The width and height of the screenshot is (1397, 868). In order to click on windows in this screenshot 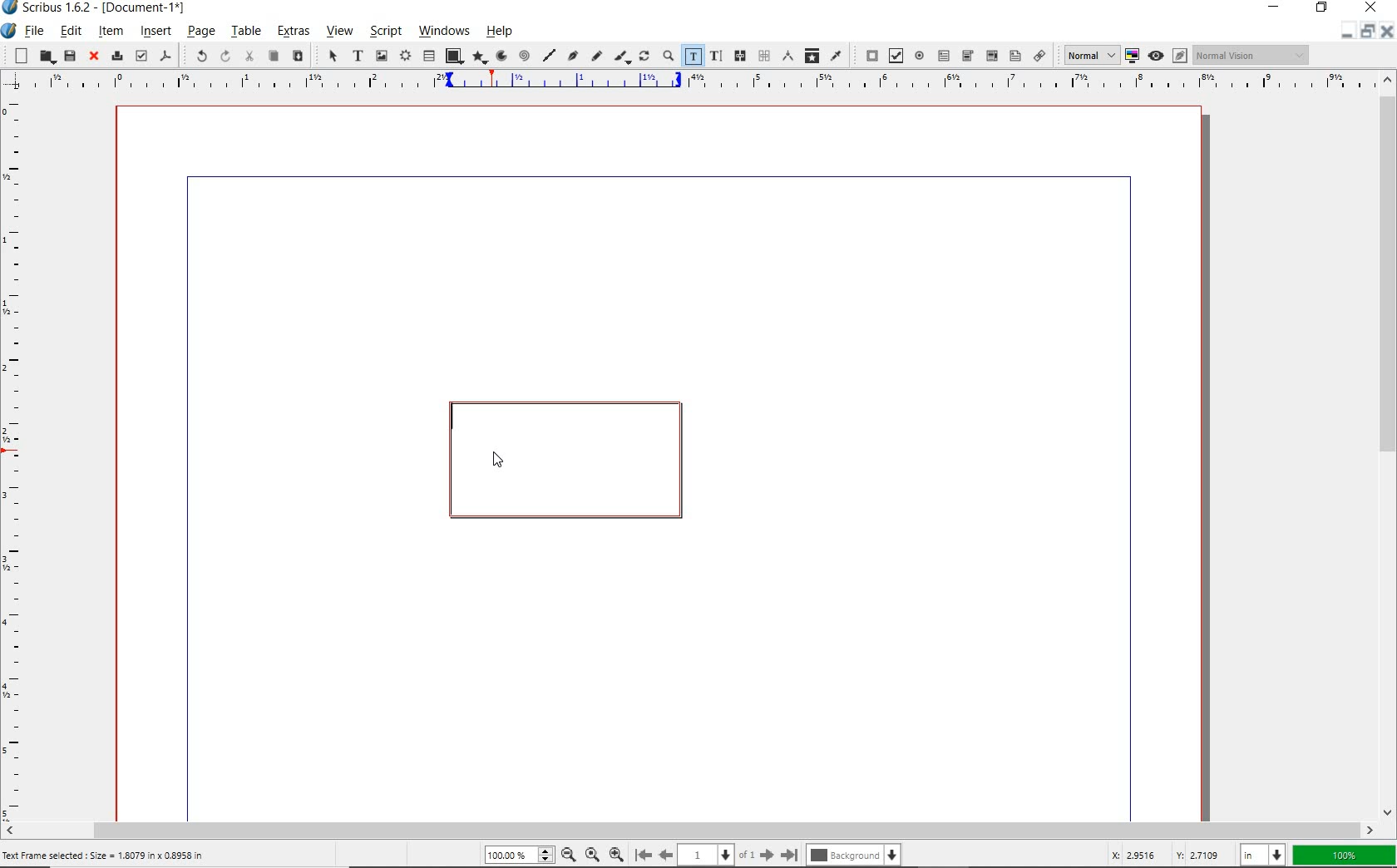, I will do `click(446, 32)`.